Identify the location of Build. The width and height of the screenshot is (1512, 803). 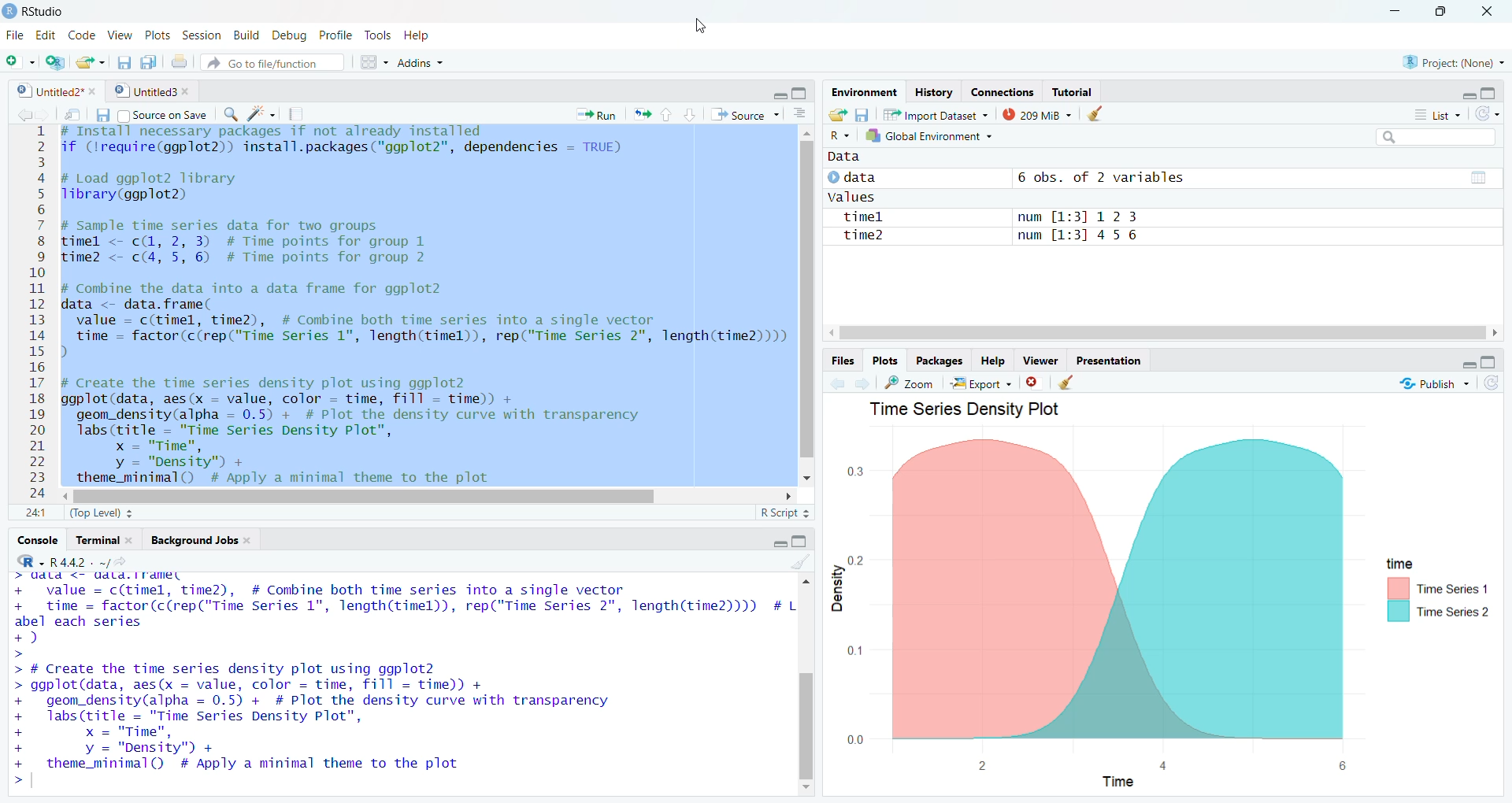
(245, 35).